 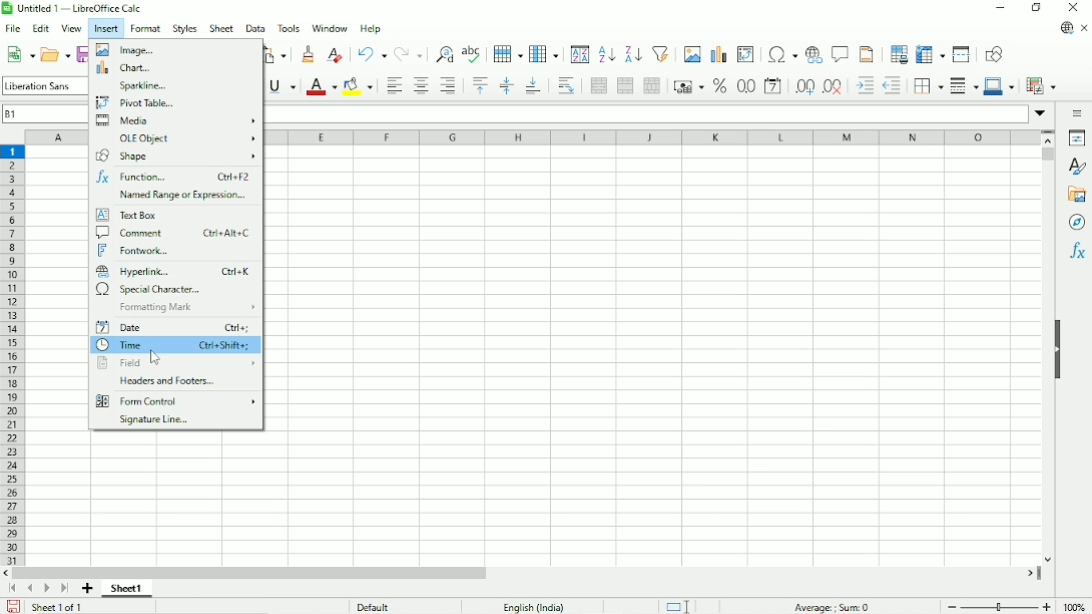 What do you see at coordinates (185, 195) in the screenshot?
I see `Named range or expression` at bounding box center [185, 195].